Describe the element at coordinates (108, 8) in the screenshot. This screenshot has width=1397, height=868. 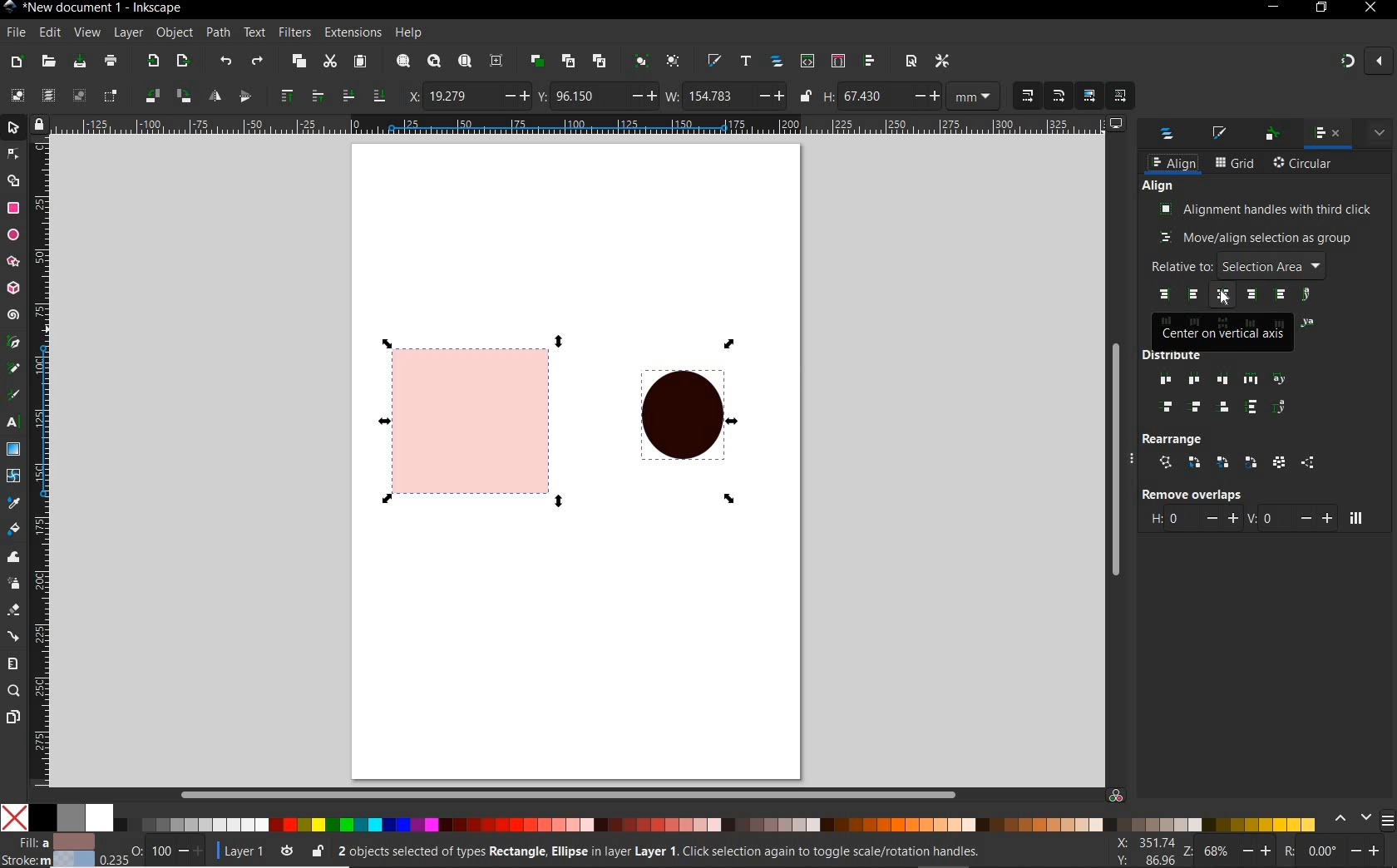
I see `file name` at that location.